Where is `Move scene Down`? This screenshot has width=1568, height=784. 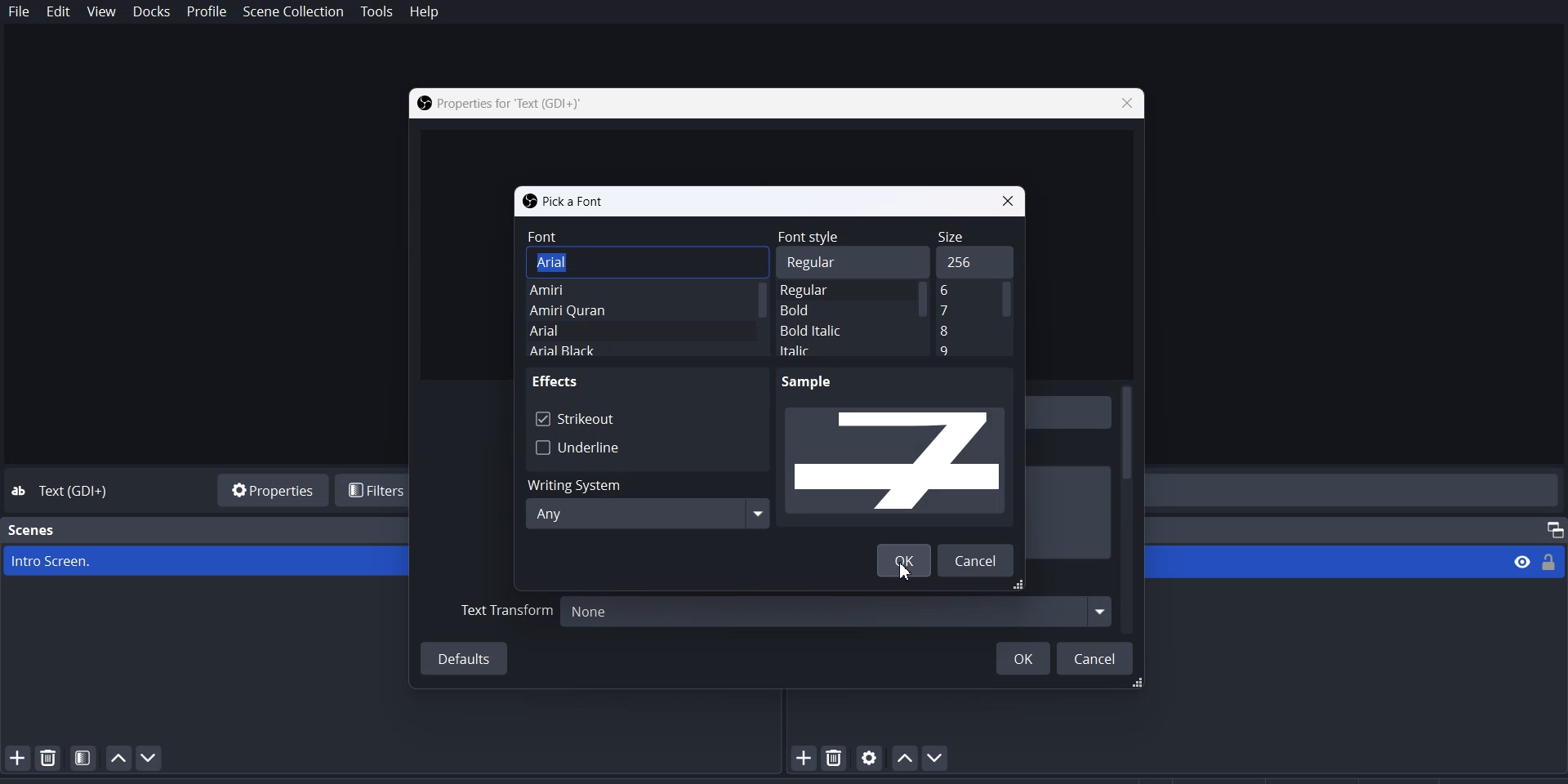 Move scene Down is located at coordinates (155, 758).